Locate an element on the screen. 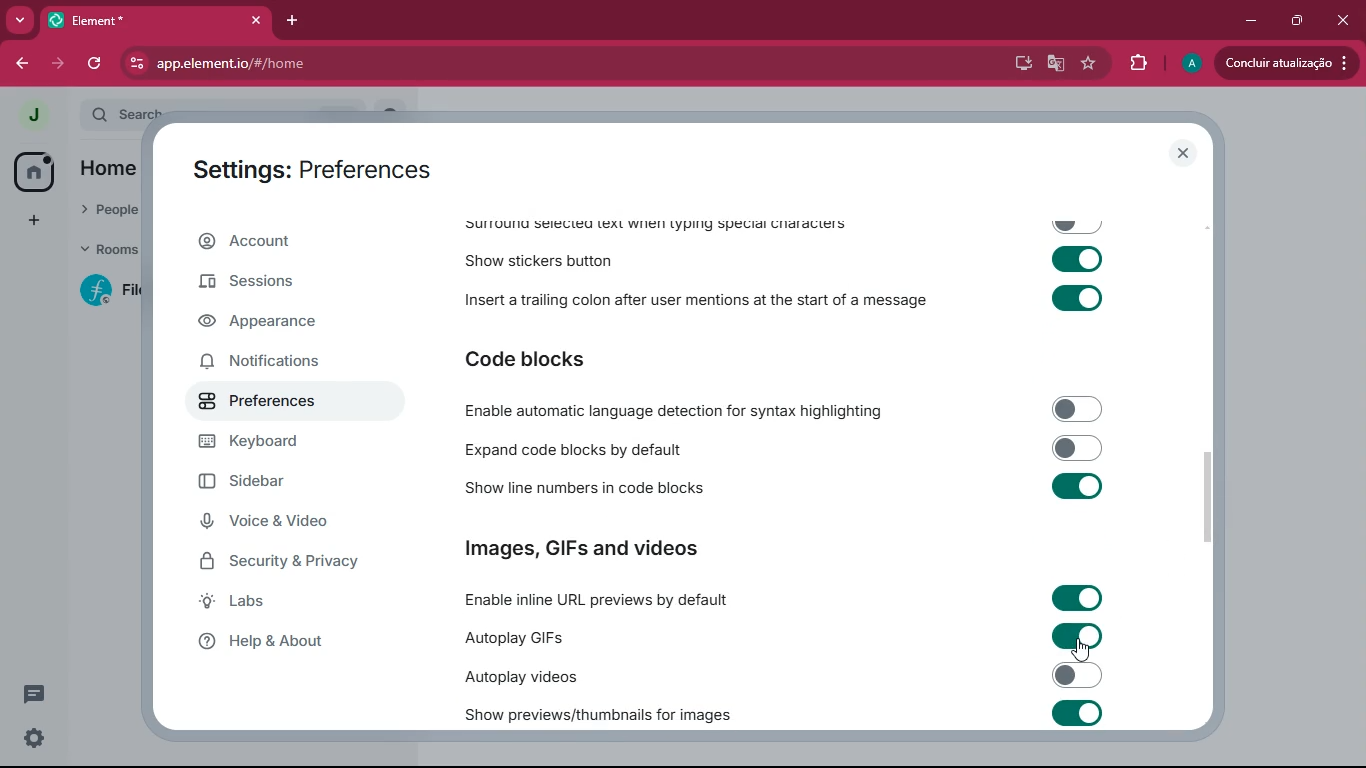 This screenshot has height=768, width=1366. minimize is located at coordinates (1249, 21).